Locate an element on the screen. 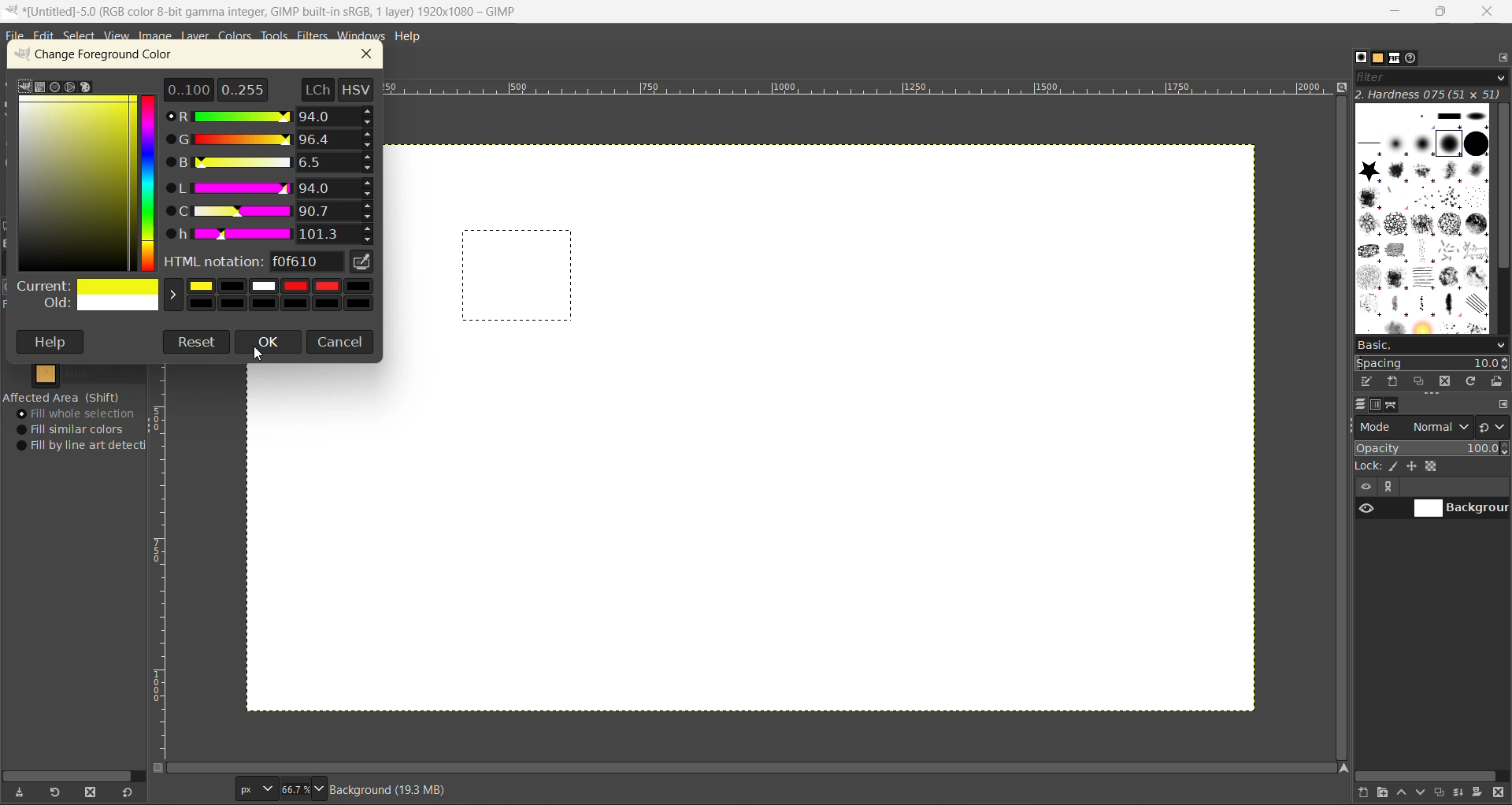 The image size is (1512, 805). layers is located at coordinates (1363, 406).